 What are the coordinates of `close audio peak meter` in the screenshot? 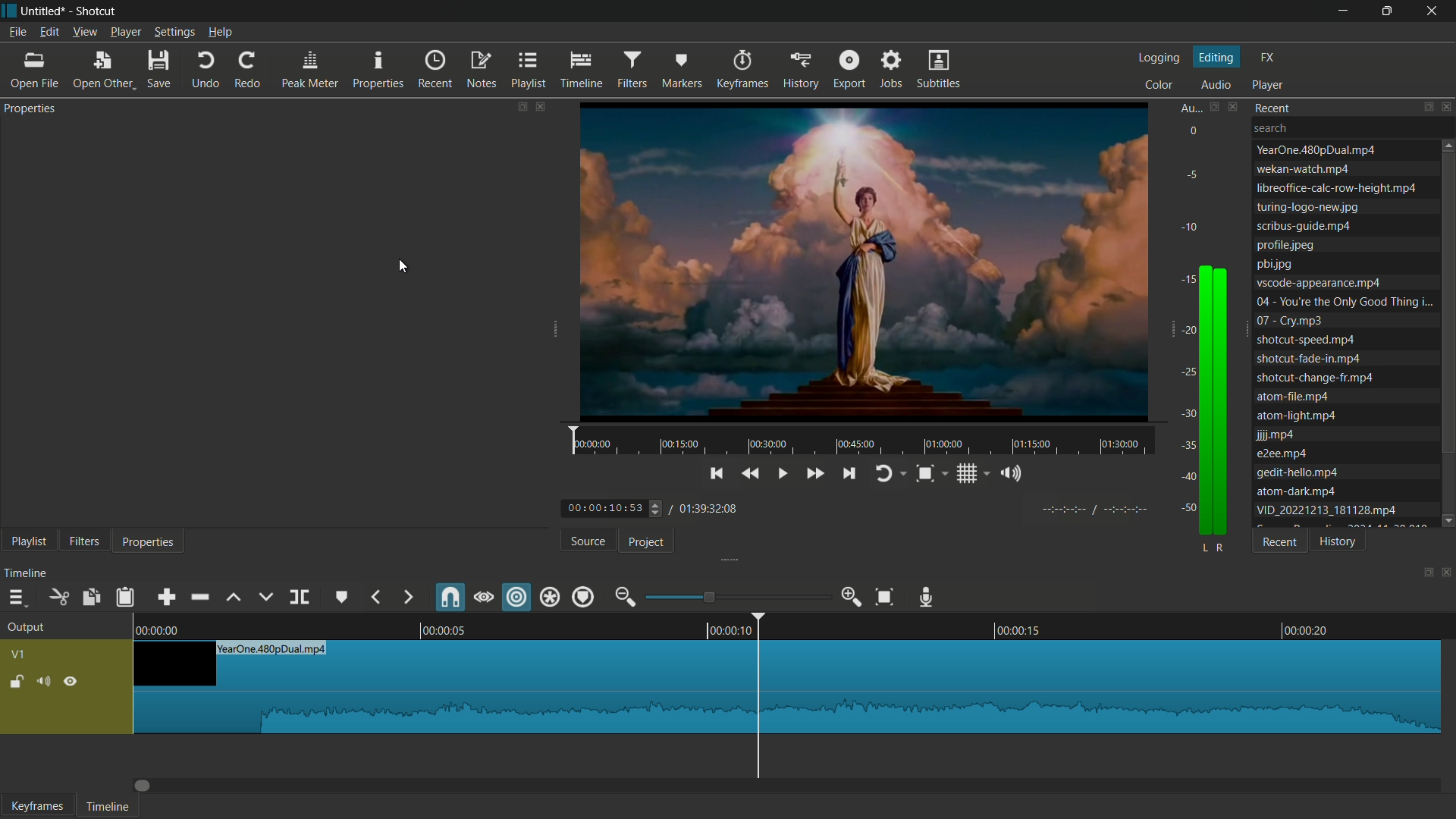 It's located at (1235, 107).